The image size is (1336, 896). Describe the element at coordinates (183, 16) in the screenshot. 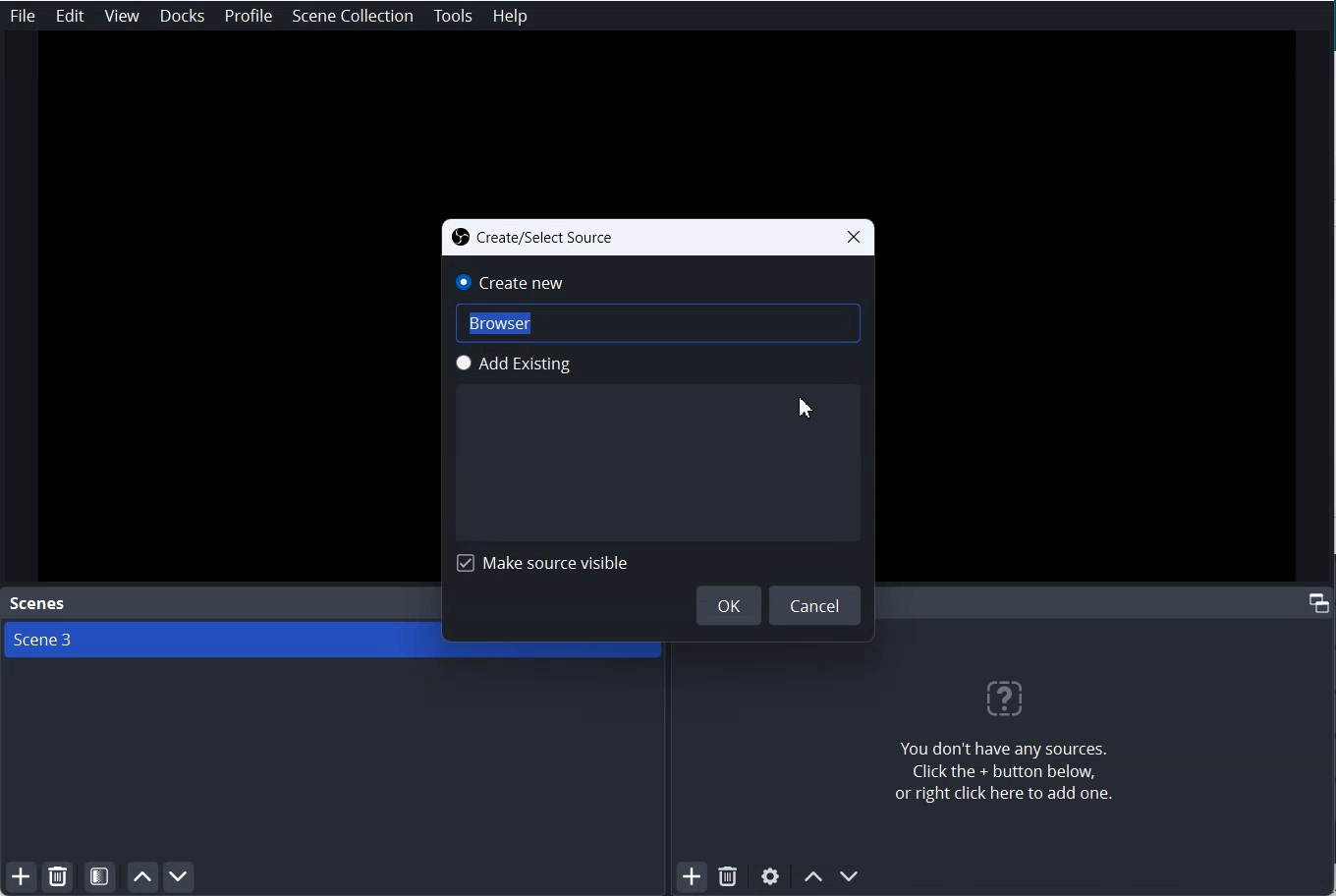

I see `Docks` at that location.